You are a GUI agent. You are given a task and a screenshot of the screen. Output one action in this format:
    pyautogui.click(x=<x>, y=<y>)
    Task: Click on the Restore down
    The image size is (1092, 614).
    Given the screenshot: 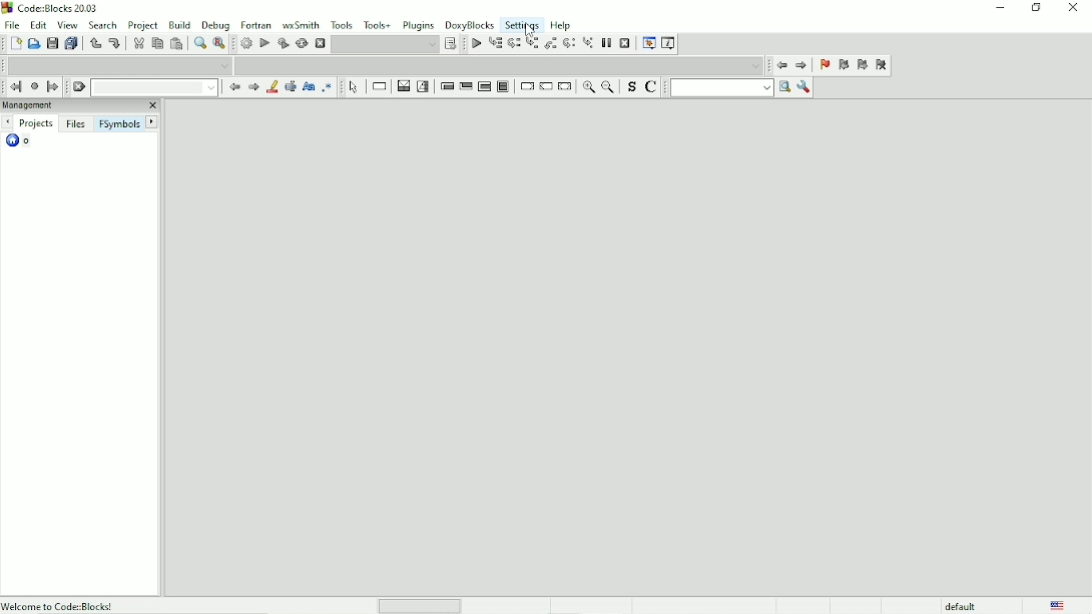 What is the action you would take?
    pyautogui.click(x=1035, y=8)
    